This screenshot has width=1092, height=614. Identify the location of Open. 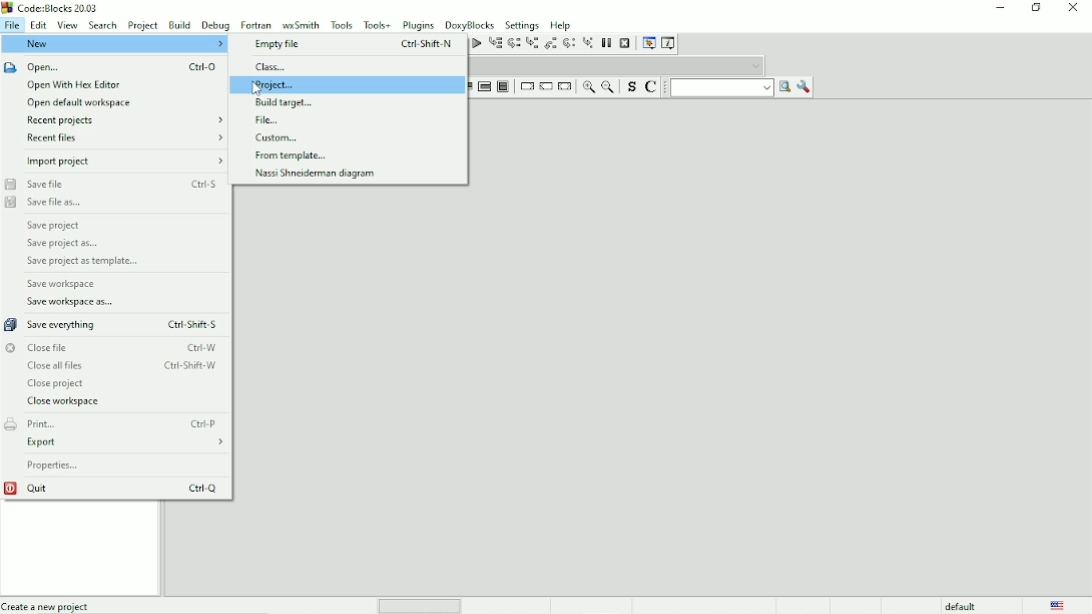
(114, 67).